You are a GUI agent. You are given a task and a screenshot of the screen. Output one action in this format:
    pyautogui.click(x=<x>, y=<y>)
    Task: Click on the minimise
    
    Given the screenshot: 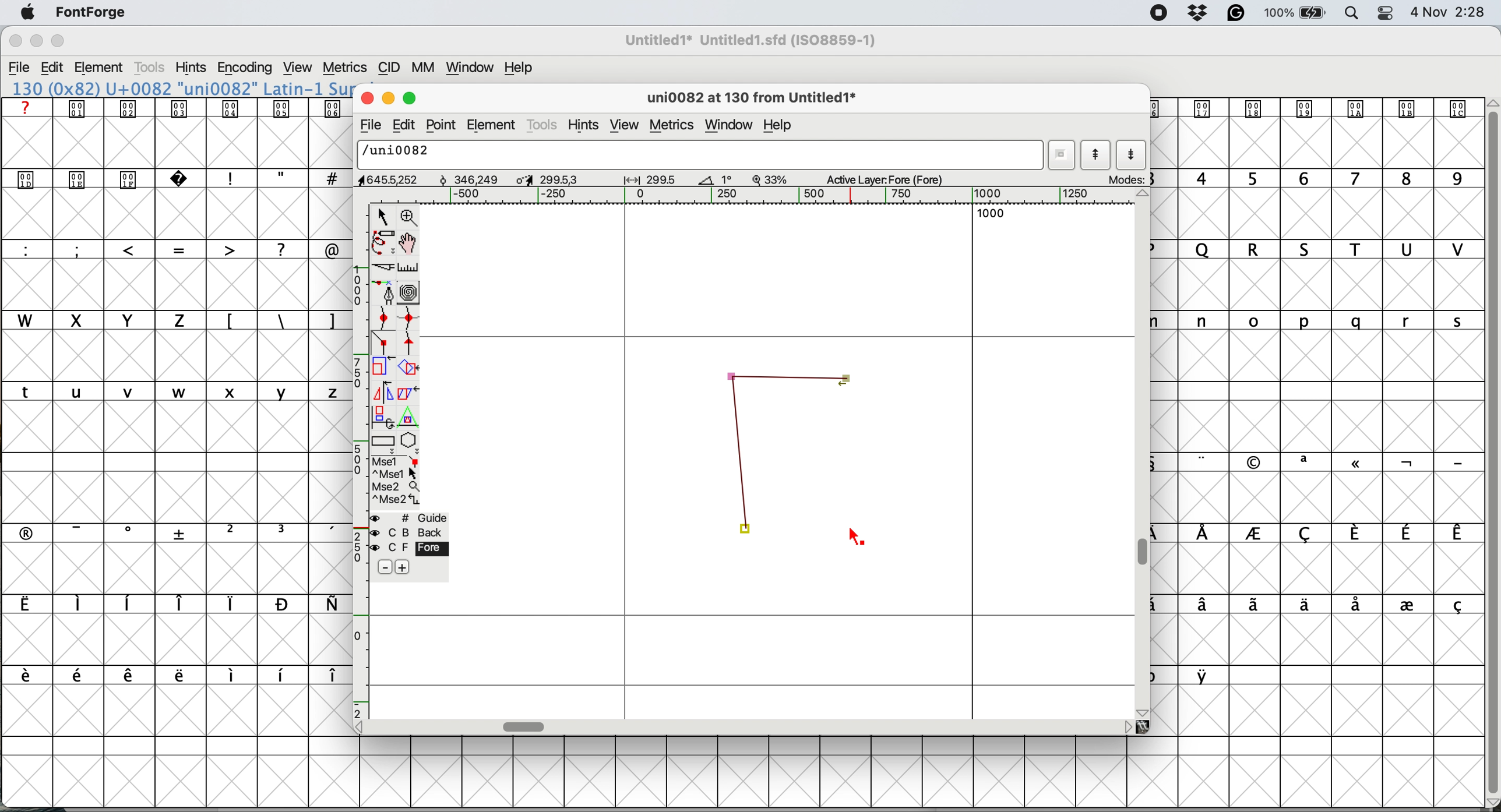 What is the action you would take?
    pyautogui.click(x=386, y=97)
    